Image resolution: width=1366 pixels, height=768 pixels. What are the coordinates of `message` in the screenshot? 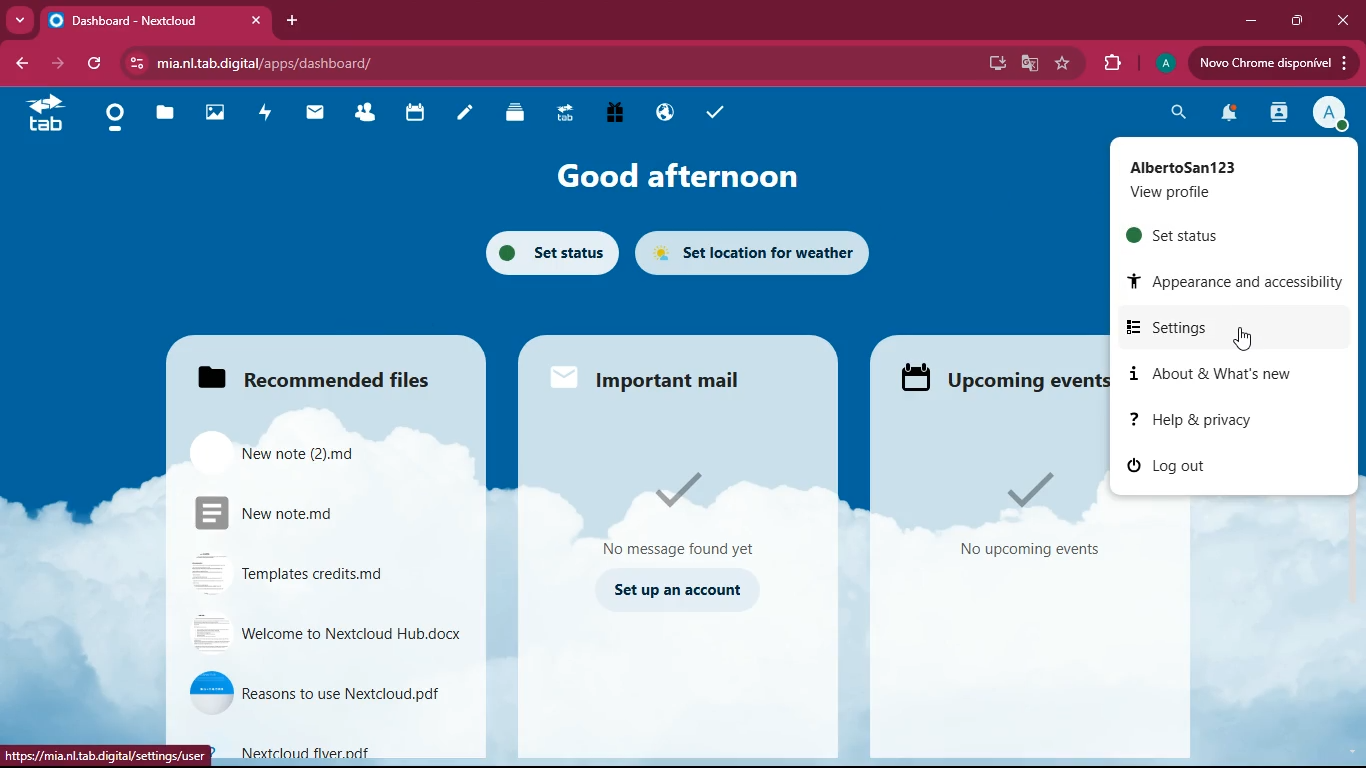 It's located at (687, 512).